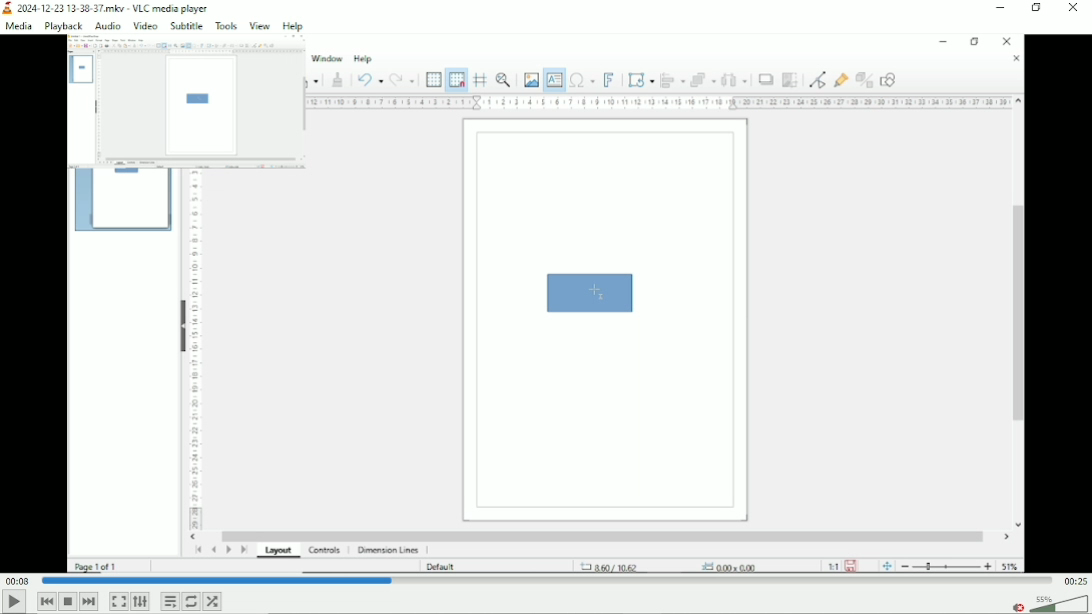 The image size is (1092, 614). What do you see at coordinates (1076, 10) in the screenshot?
I see `Close` at bounding box center [1076, 10].